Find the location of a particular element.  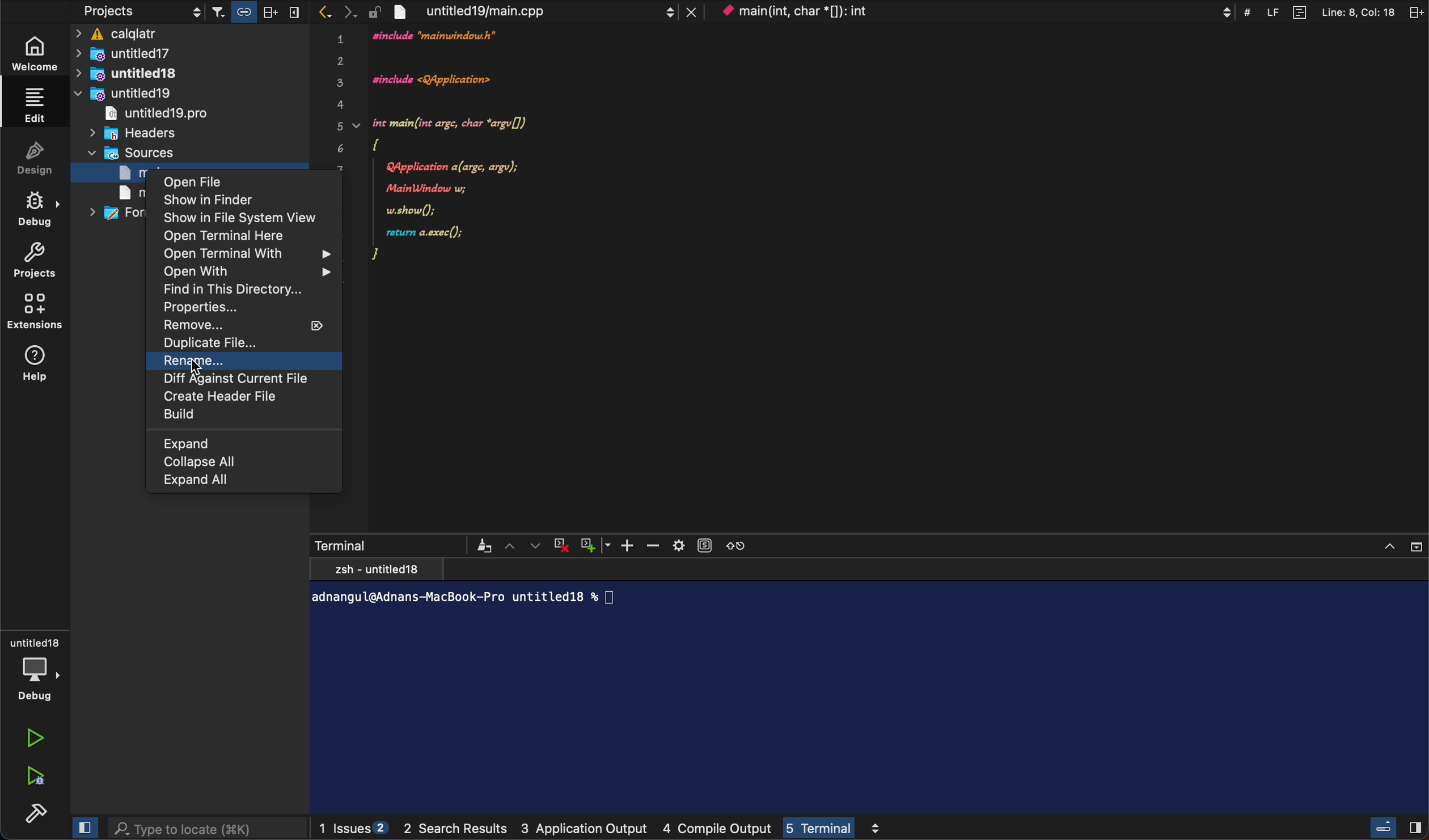

ediT is located at coordinates (36, 104).